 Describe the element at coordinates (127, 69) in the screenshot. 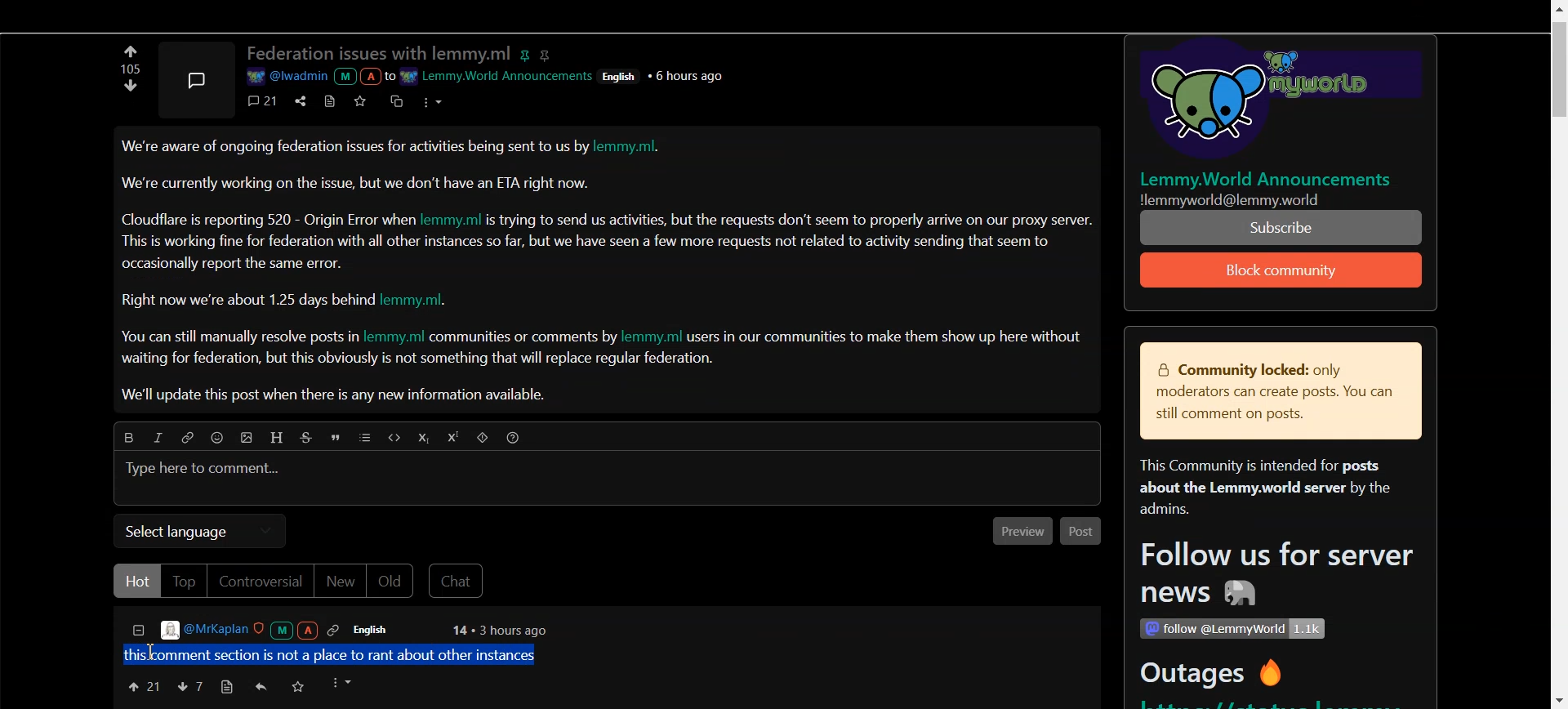

I see `Text` at that location.